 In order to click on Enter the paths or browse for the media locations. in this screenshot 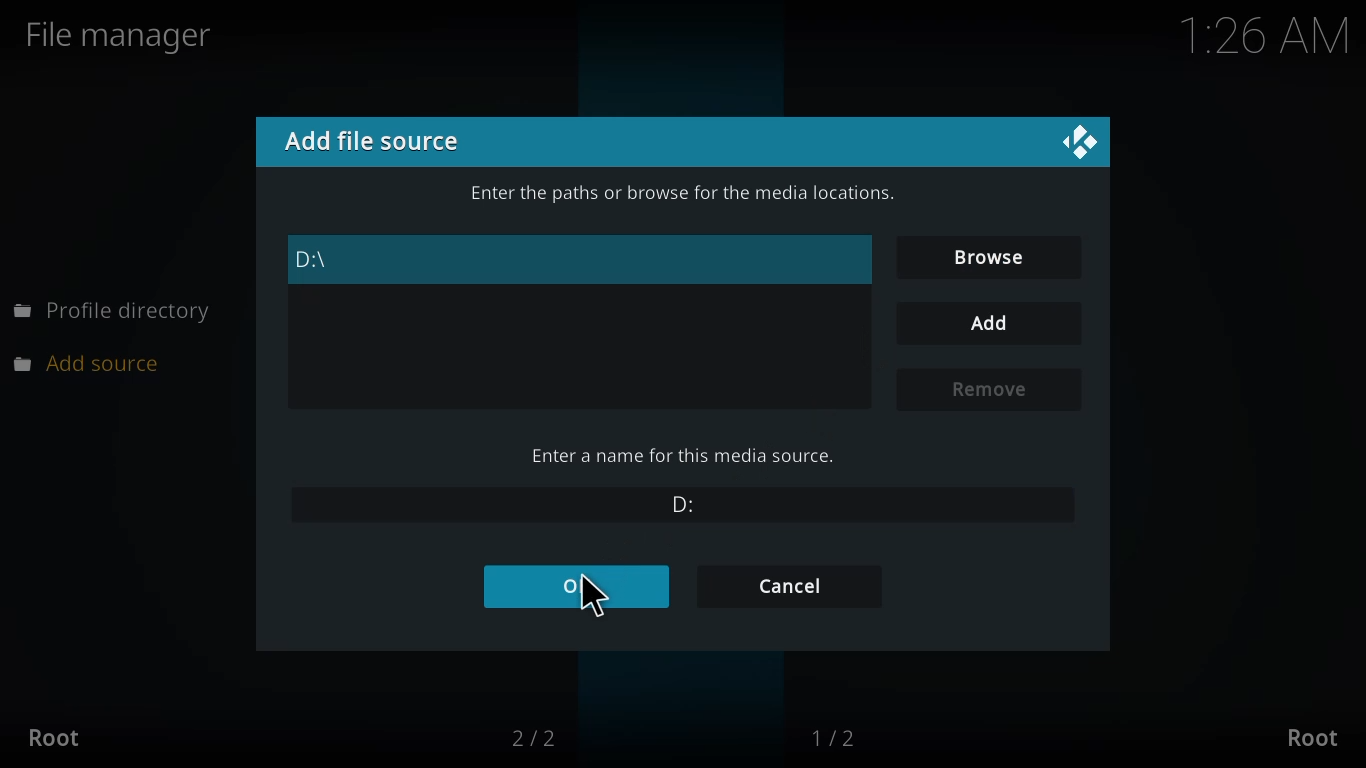, I will do `click(681, 194)`.